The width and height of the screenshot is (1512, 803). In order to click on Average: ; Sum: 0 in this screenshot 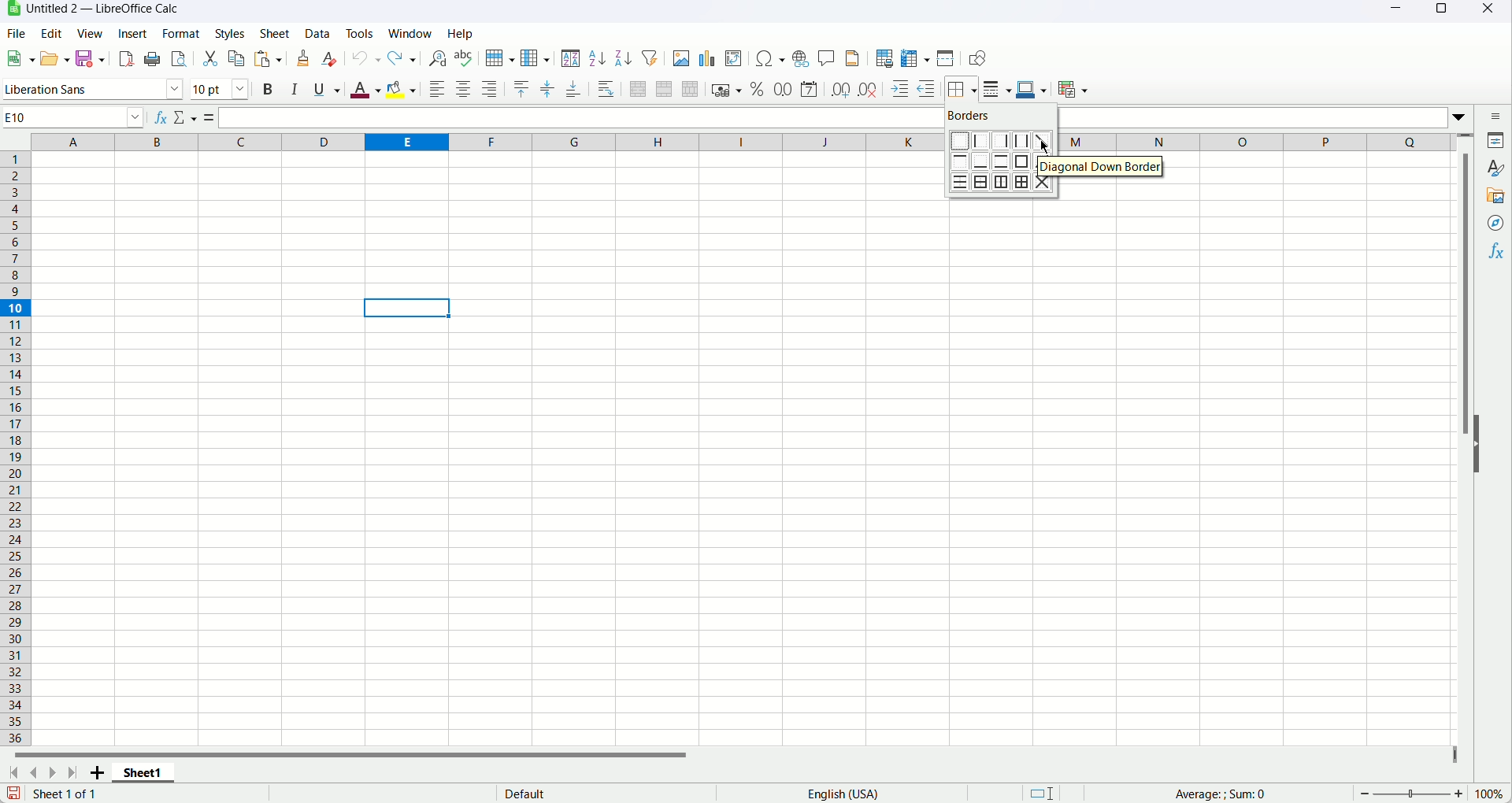, I will do `click(1216, 793)`.